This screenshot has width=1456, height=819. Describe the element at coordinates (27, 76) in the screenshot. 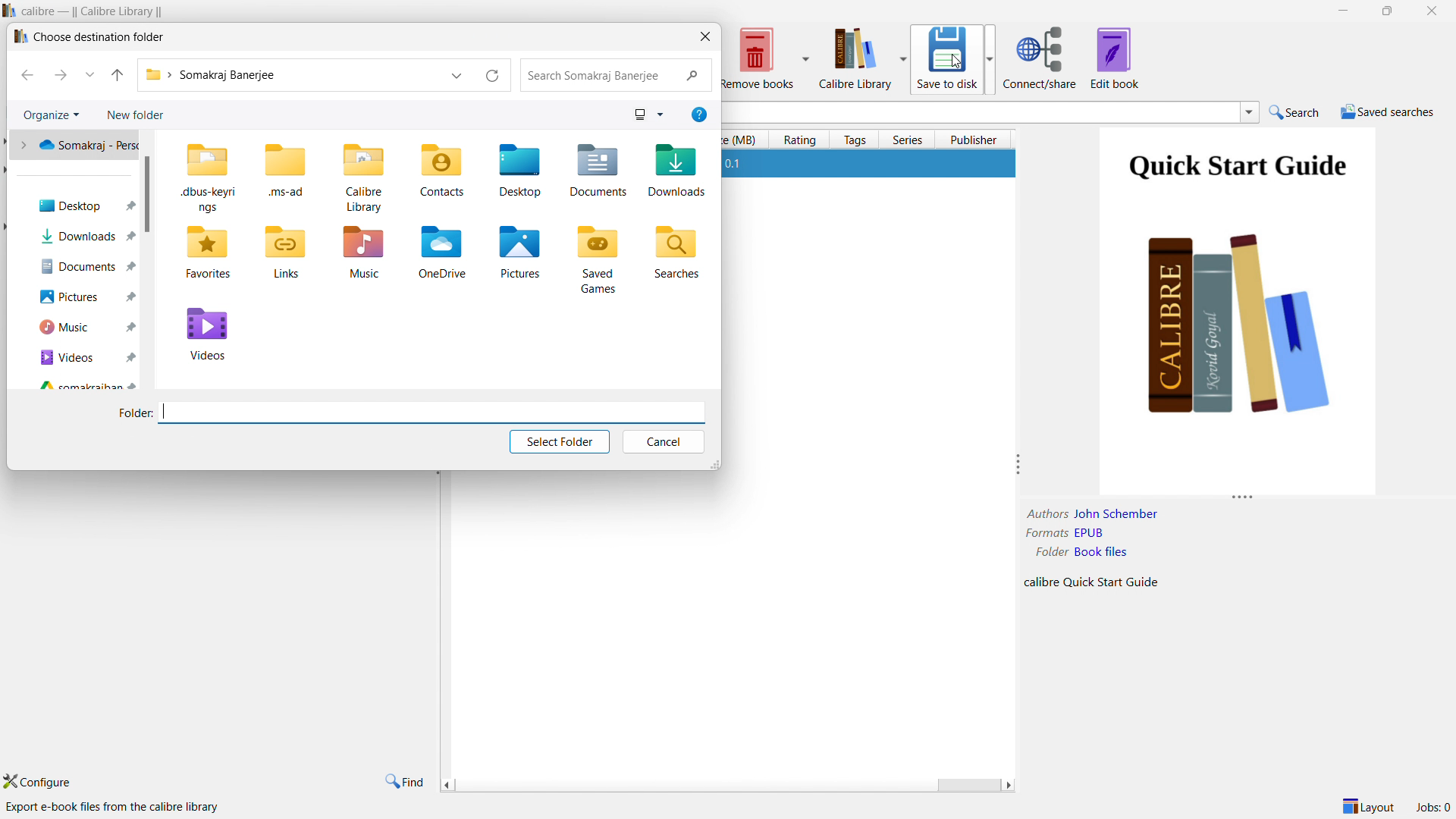

I see `previous folder` at that location.